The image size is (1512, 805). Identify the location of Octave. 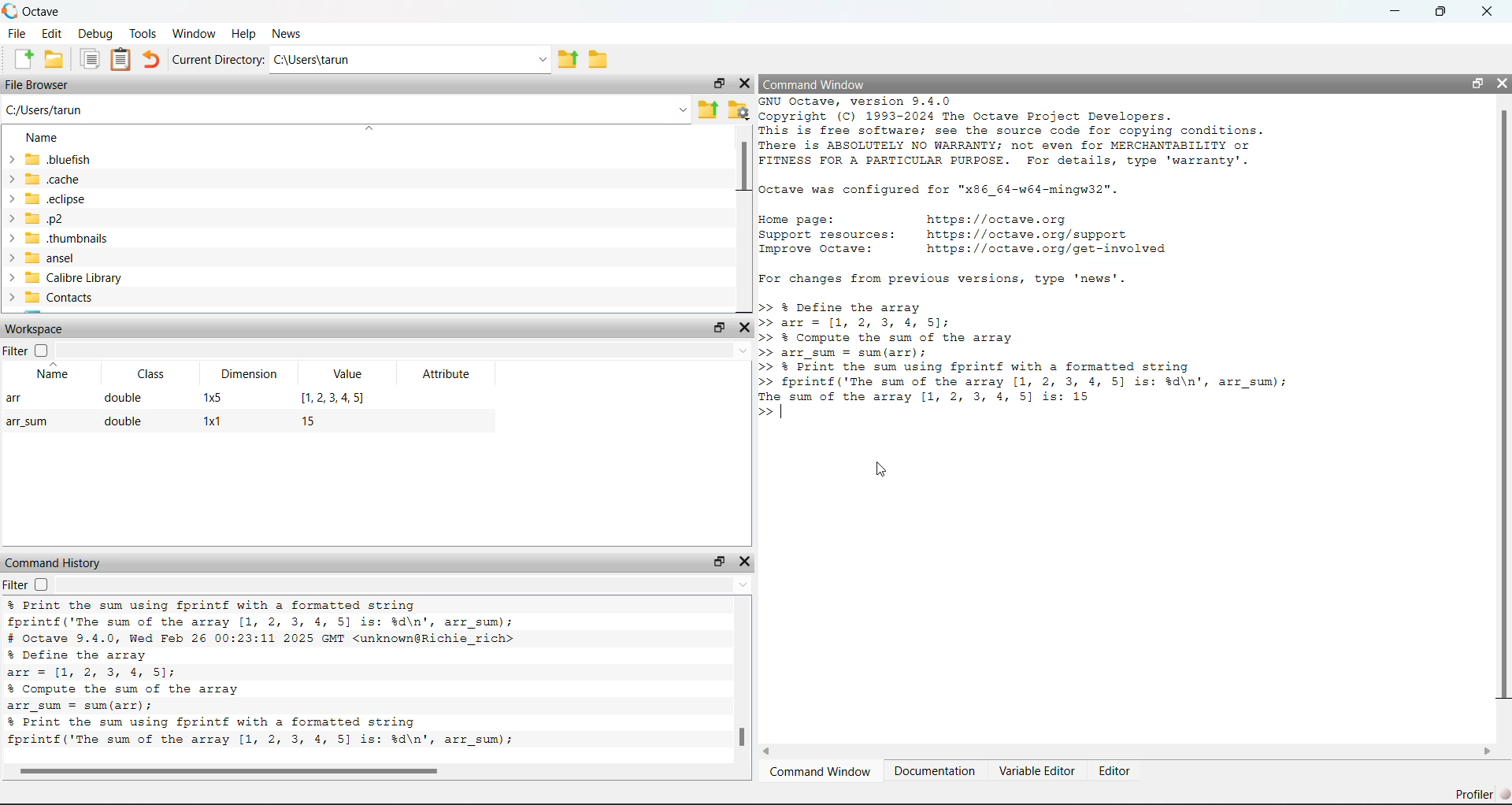
(45, 9).